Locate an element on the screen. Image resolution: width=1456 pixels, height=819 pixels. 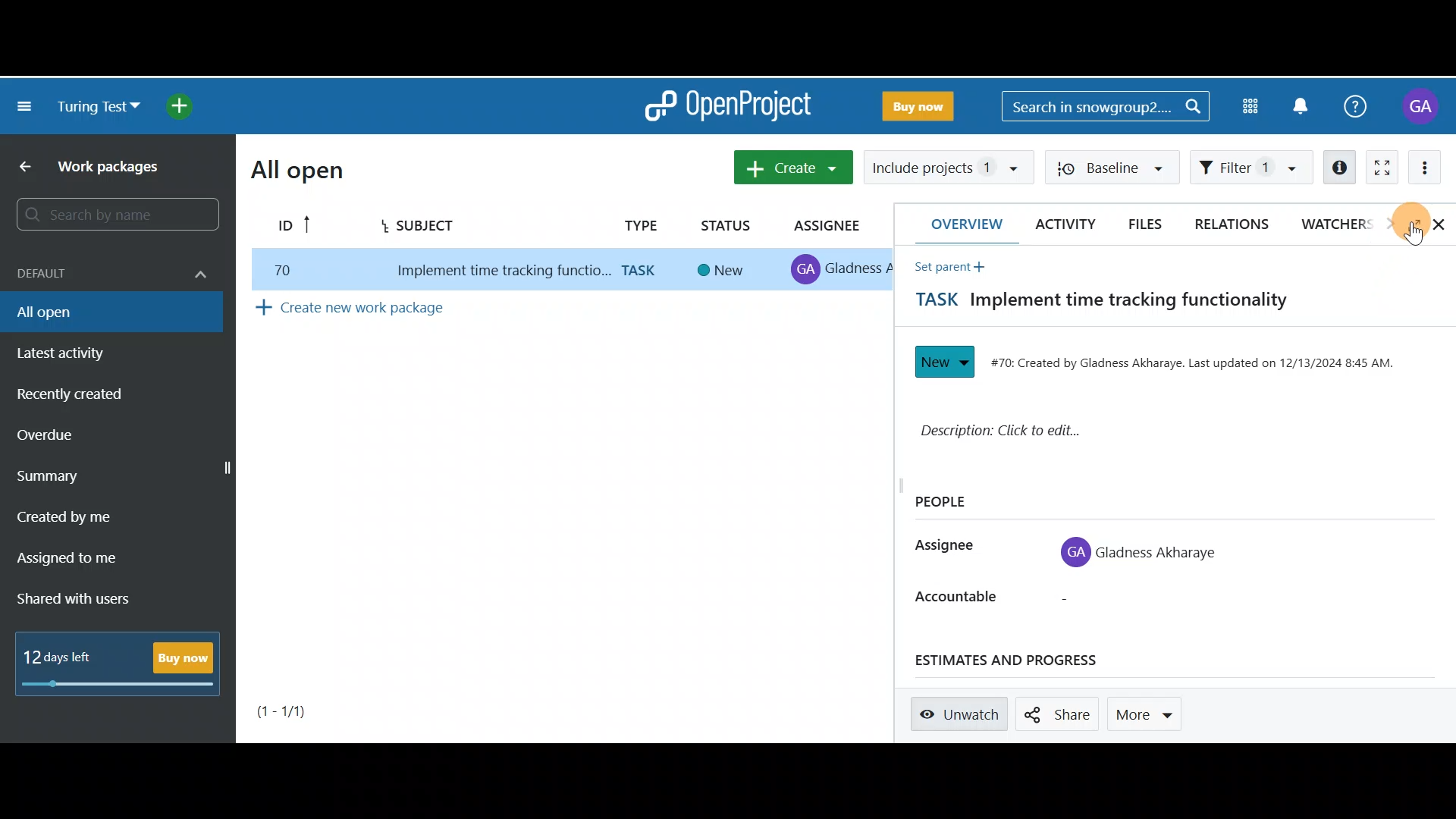
Latest activity is located at coordinates (83, 354).